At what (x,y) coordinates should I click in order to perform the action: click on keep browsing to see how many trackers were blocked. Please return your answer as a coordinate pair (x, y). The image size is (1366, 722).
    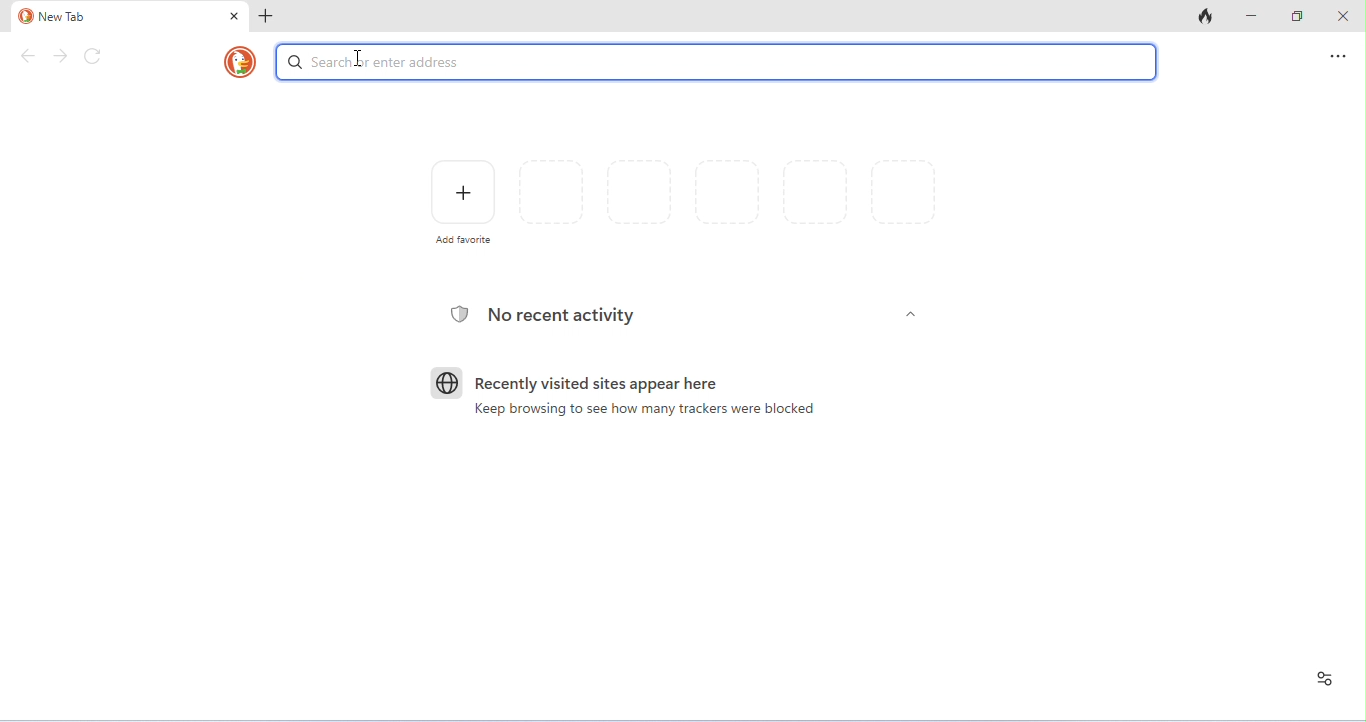
    Looking at the image, I should click on (645, 411).